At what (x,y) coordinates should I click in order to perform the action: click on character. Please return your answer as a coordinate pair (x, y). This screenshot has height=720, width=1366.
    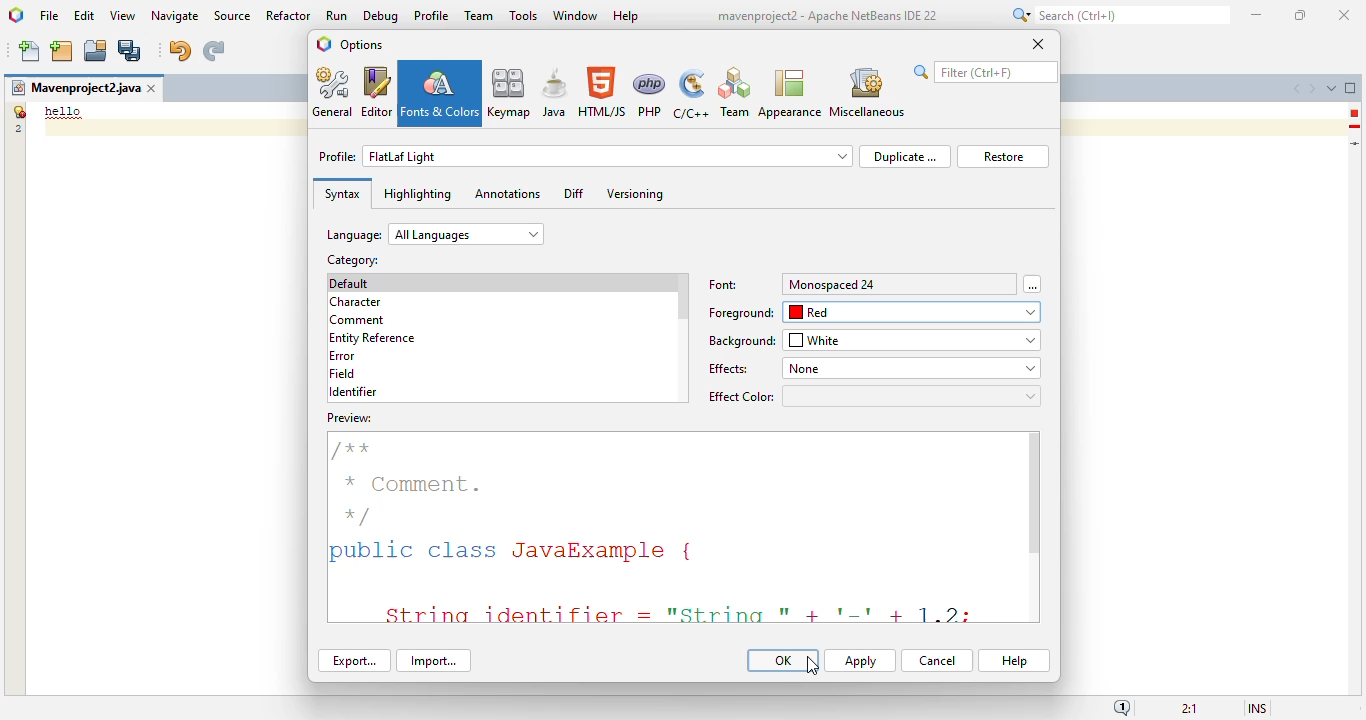
    Looking at the image, I should click on (355, 302).